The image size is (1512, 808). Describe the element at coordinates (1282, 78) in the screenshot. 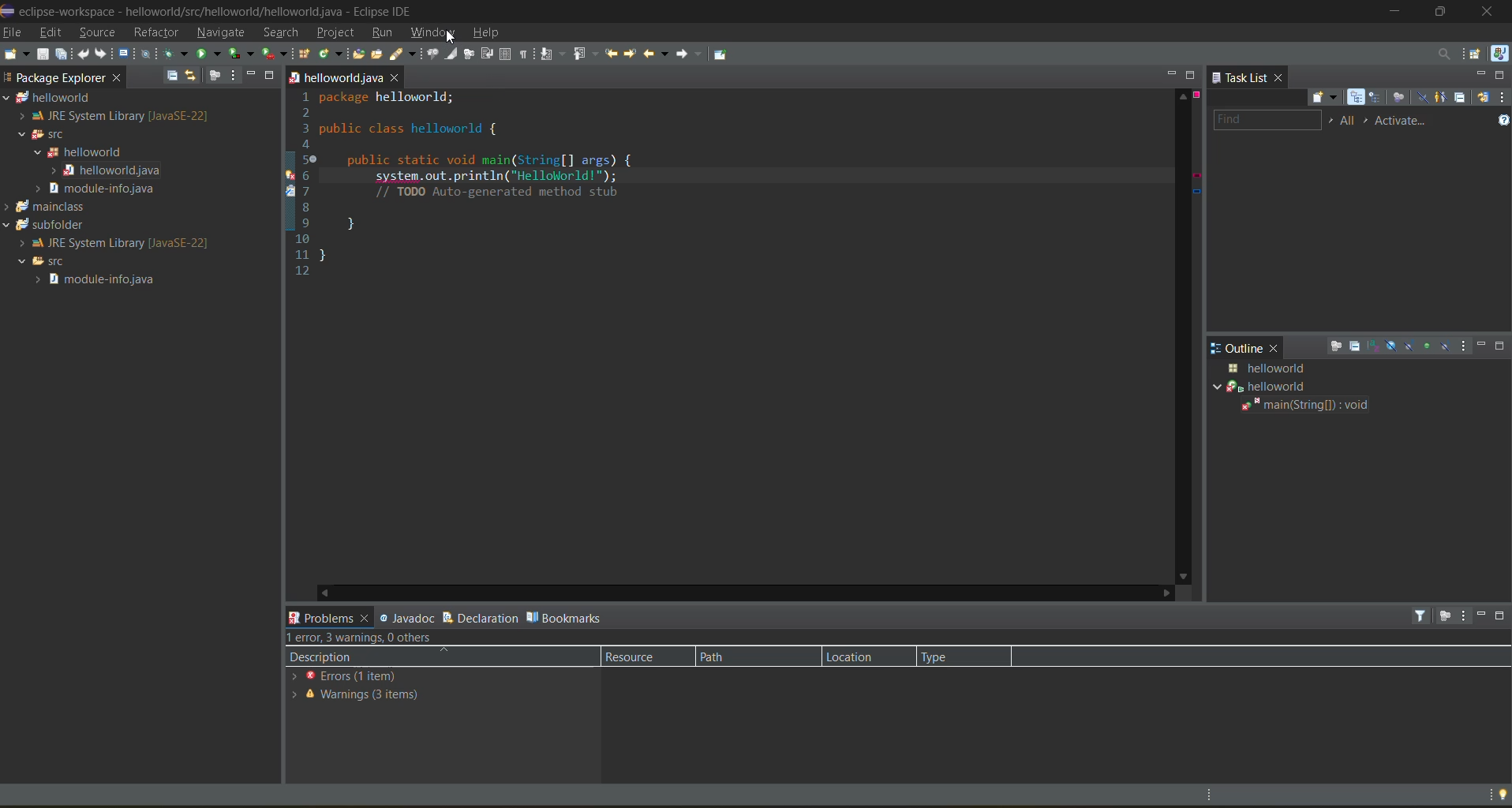

I see `close` at that location.